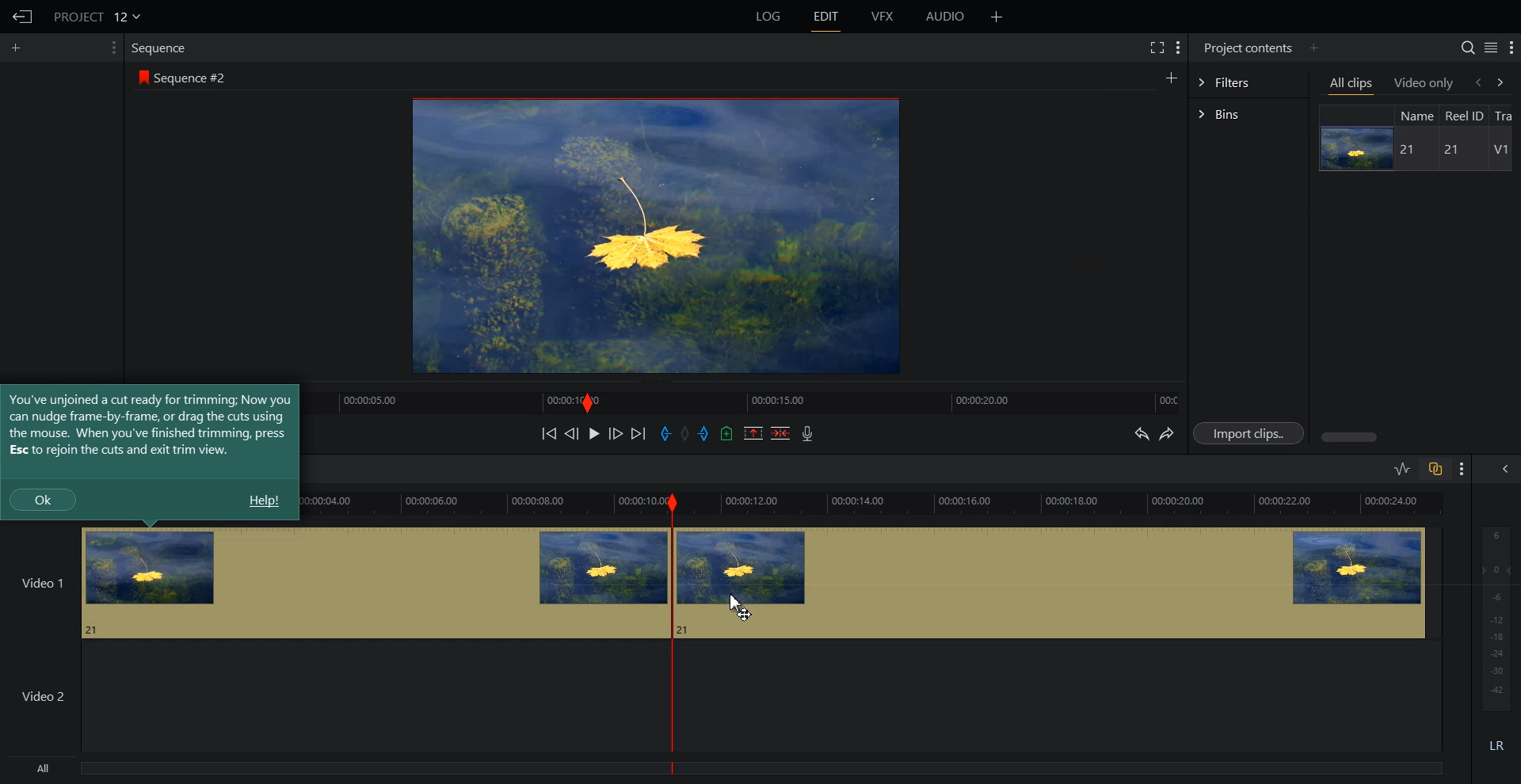  What do you see at coordinates (997, 16) in the screenshot?
I see `Add Panel` at bounding box center [997, 16].